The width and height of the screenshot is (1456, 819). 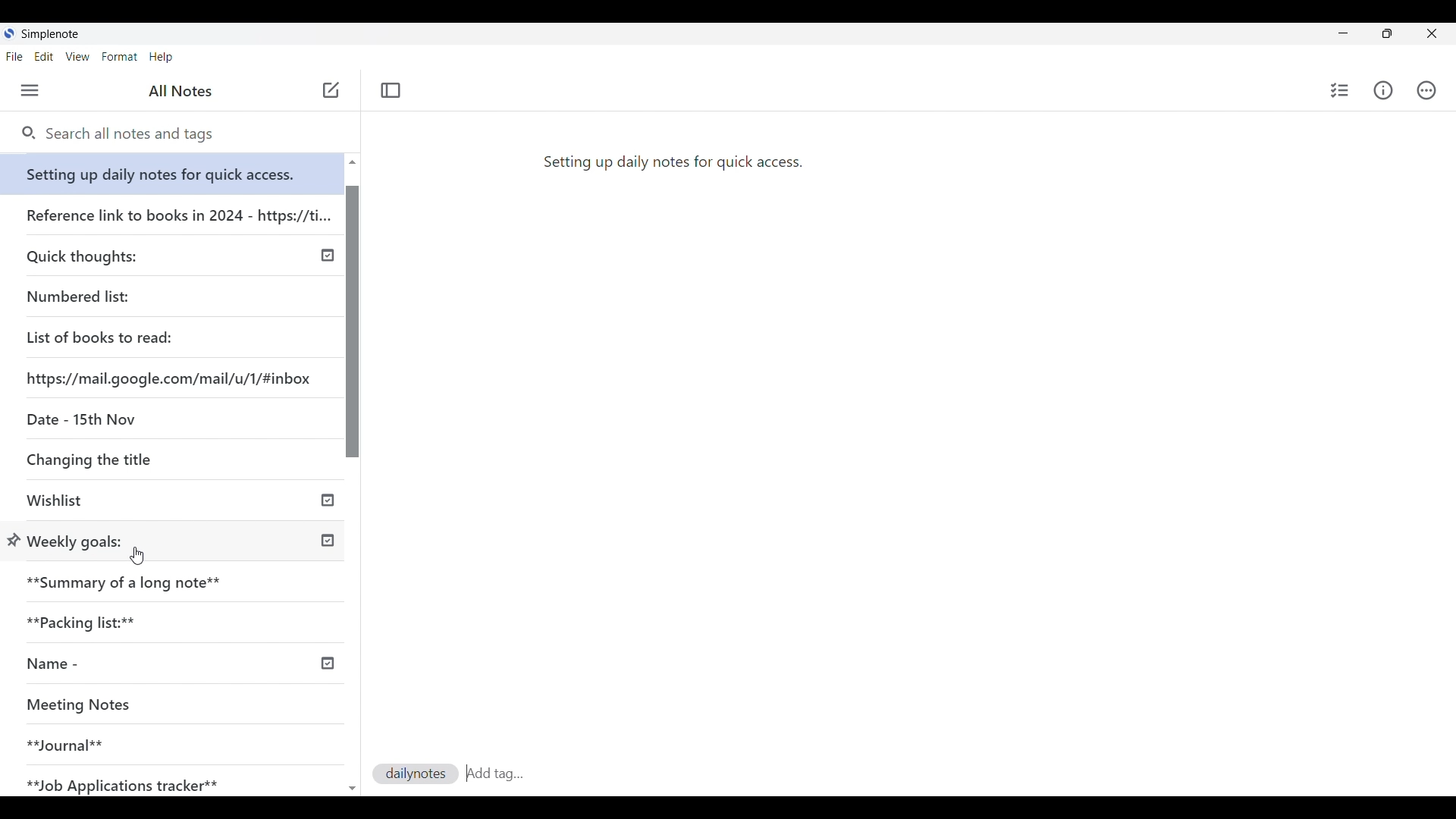 What do you see at coordinates (1339, 90) in the screenshot?
I see `Insert checklist` at bounding box center [1339, 90].